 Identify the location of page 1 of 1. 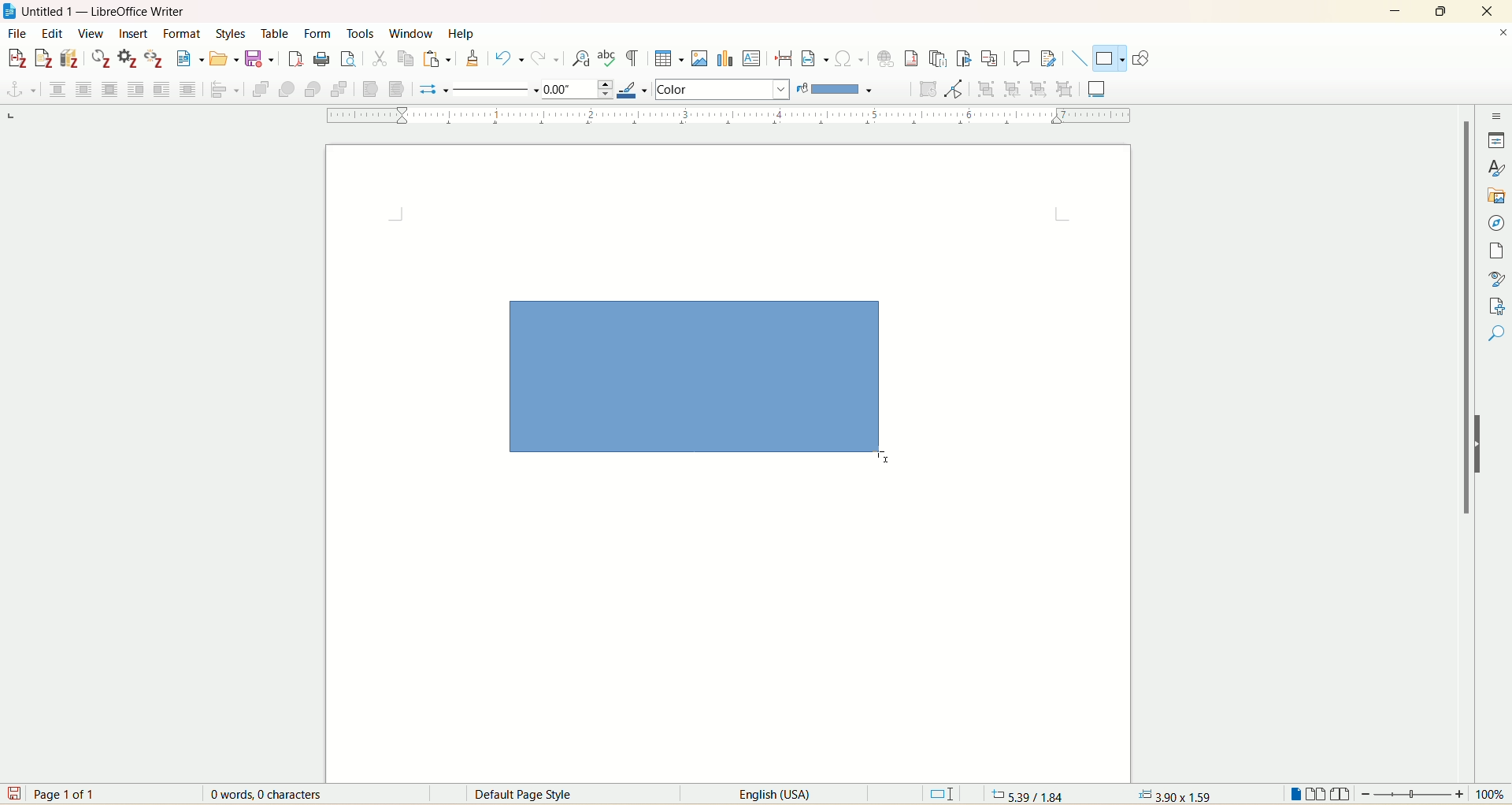
(69, 793).